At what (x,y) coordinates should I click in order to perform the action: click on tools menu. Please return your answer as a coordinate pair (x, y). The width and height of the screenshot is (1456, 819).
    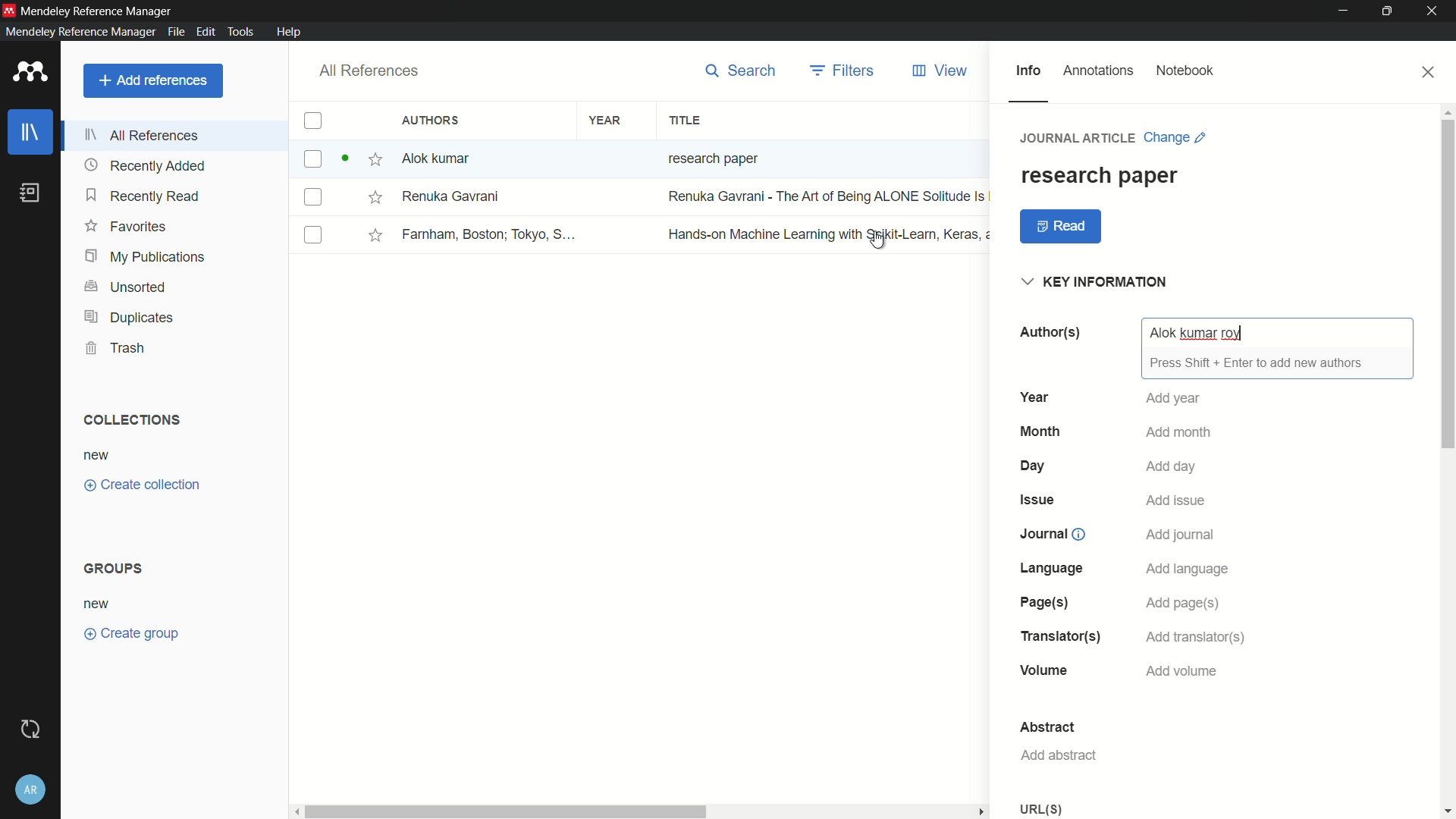
    Looking at the image, I should click on (238, 31).